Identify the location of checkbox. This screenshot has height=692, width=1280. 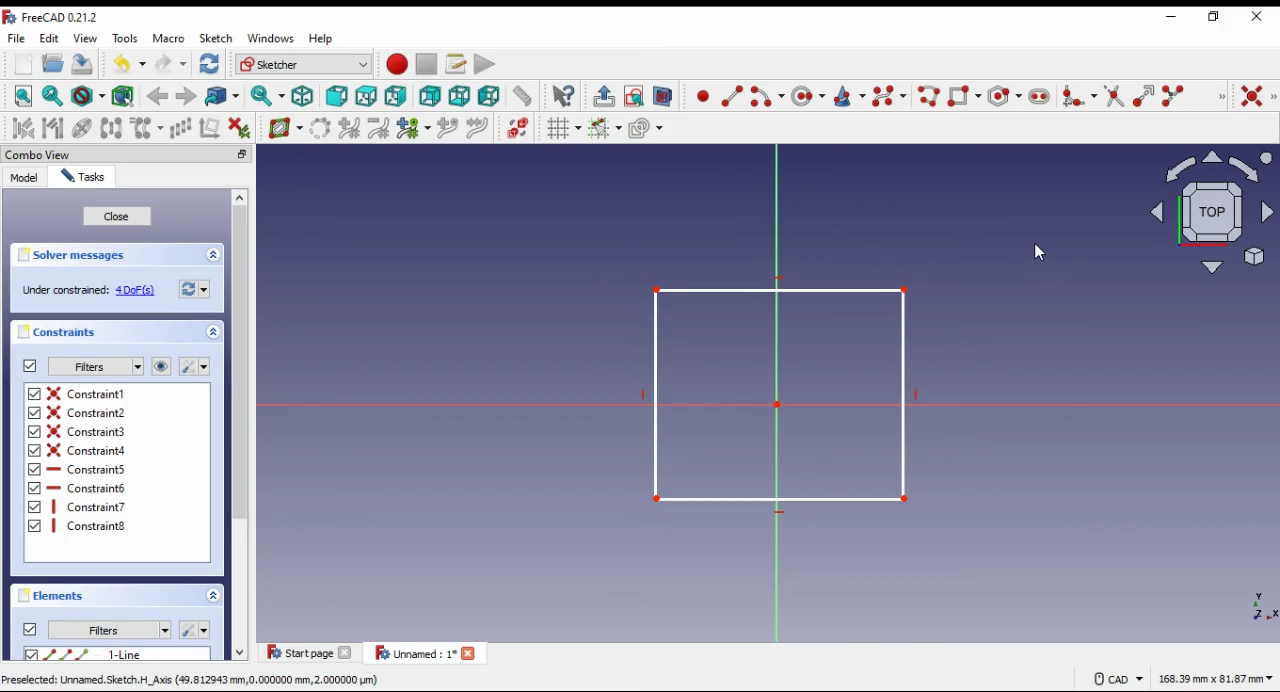
(31, 655).